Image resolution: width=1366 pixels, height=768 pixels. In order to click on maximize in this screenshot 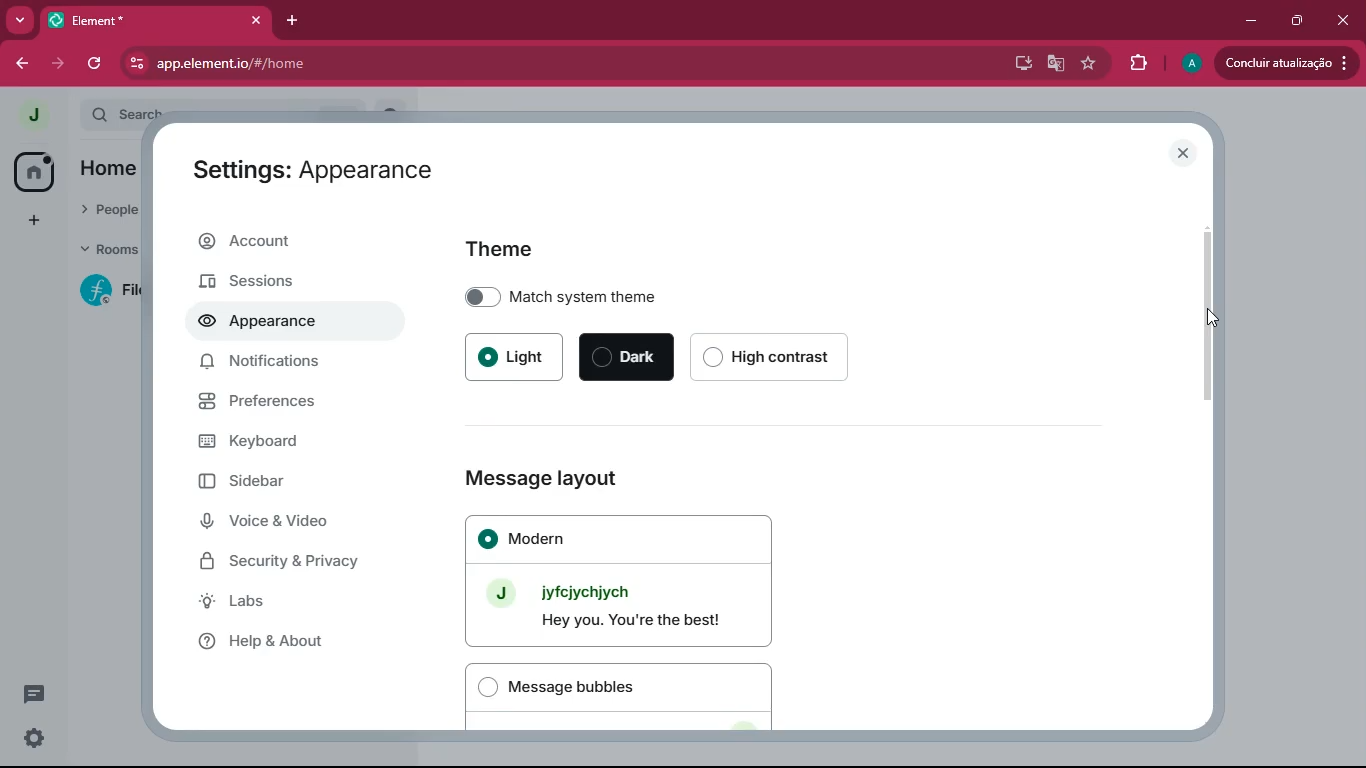, I will do `click(1299, 20)`.